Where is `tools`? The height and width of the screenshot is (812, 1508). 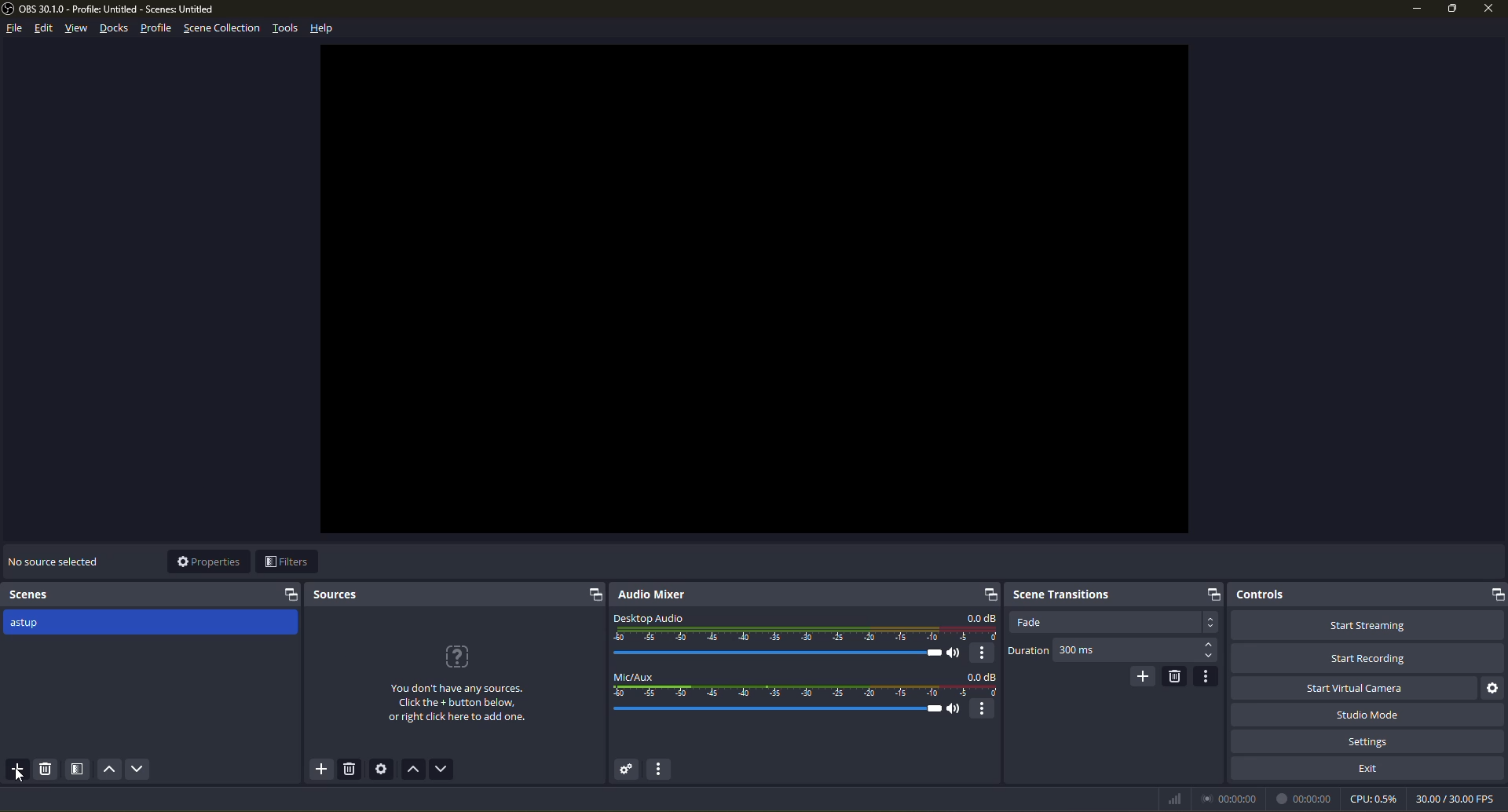 tools is located at coordinates (287, 30).